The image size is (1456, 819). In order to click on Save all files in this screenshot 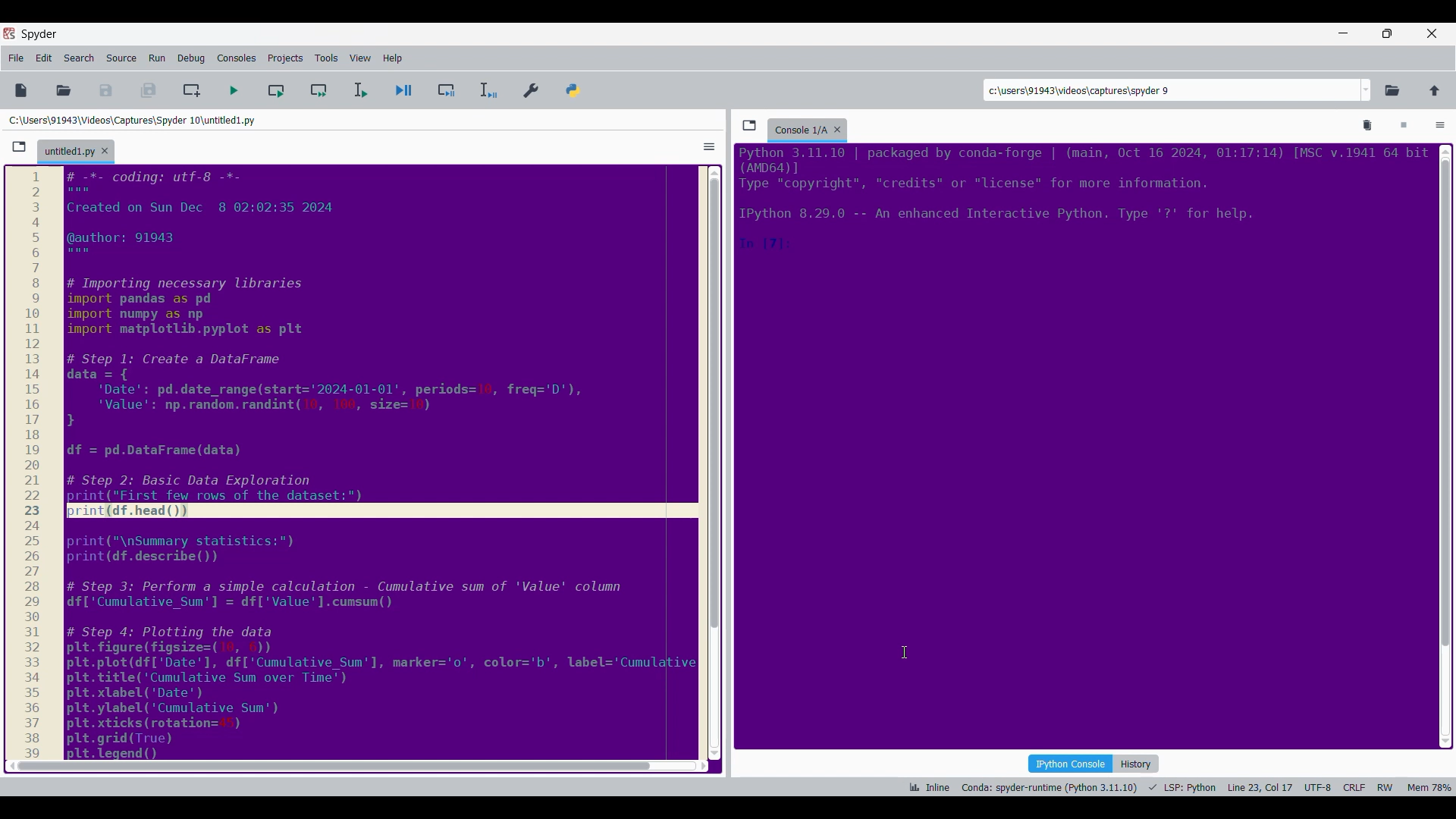, I will do `click(148, 90)`.